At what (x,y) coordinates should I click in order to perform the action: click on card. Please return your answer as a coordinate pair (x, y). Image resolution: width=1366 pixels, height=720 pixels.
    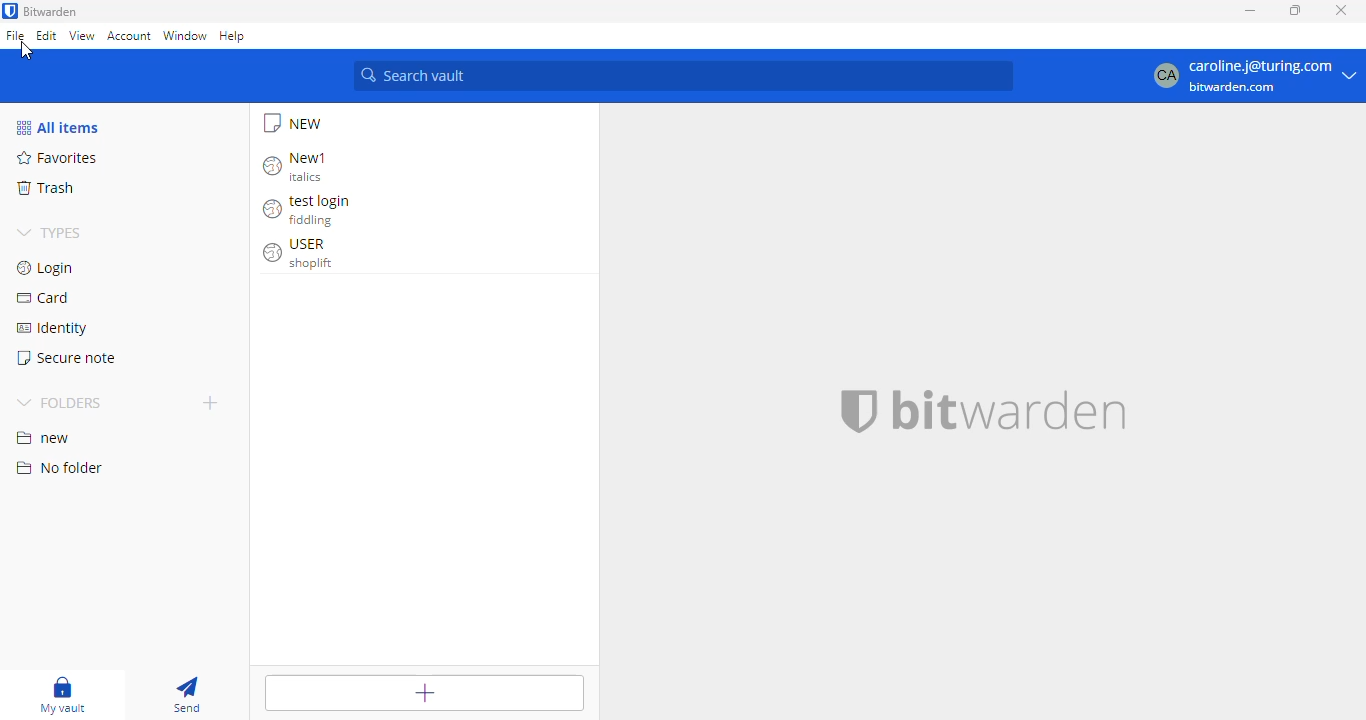
    Looking at the image, I should click on (44, 298).